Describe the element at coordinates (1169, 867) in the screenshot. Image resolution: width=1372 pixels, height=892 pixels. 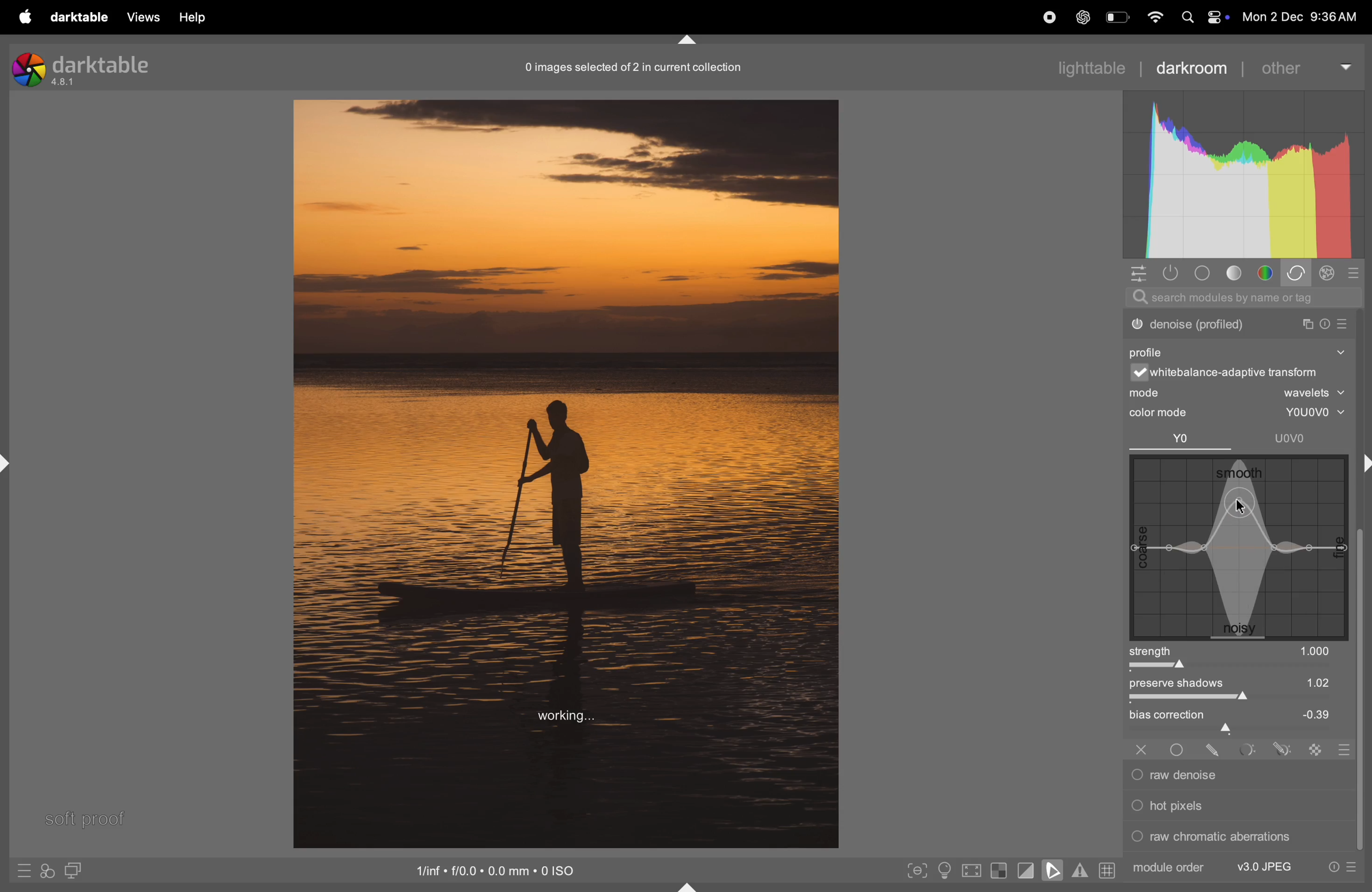
I see `module order` at that location.